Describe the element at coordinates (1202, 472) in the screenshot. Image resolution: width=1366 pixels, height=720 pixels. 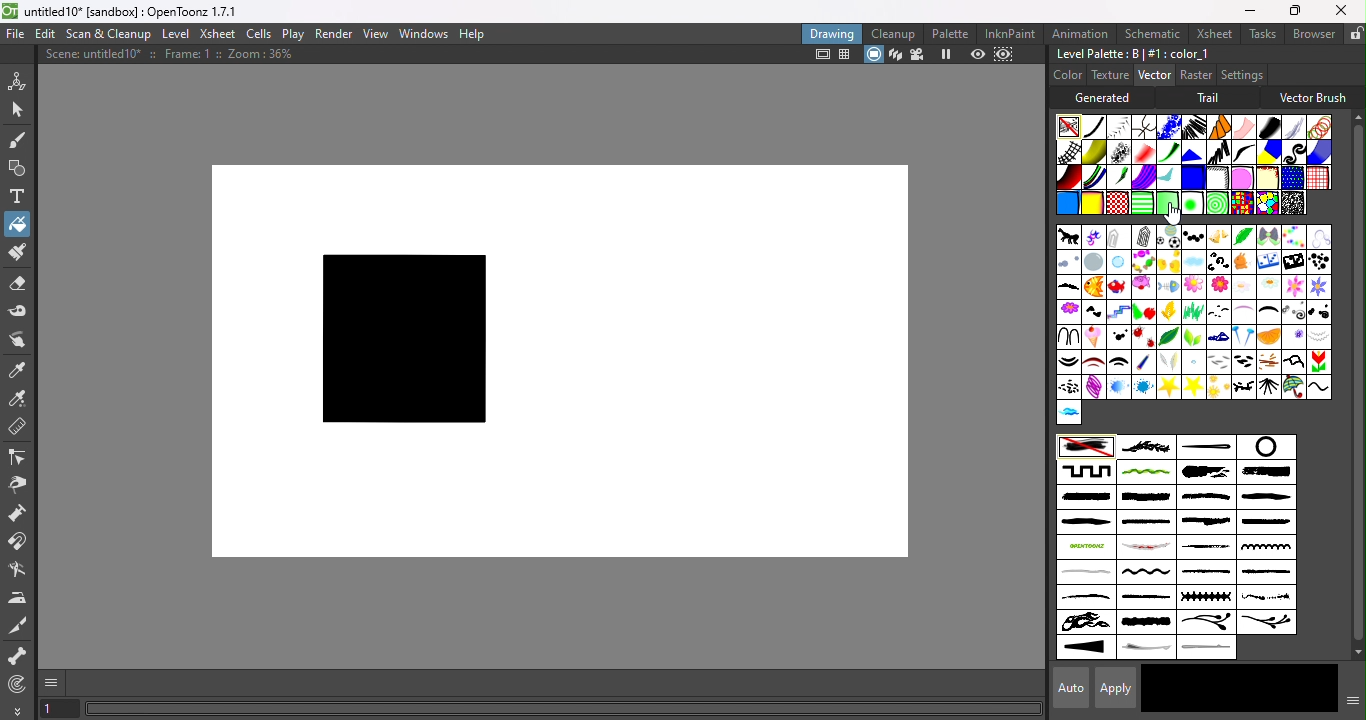
I see `large_brush1` at that location.